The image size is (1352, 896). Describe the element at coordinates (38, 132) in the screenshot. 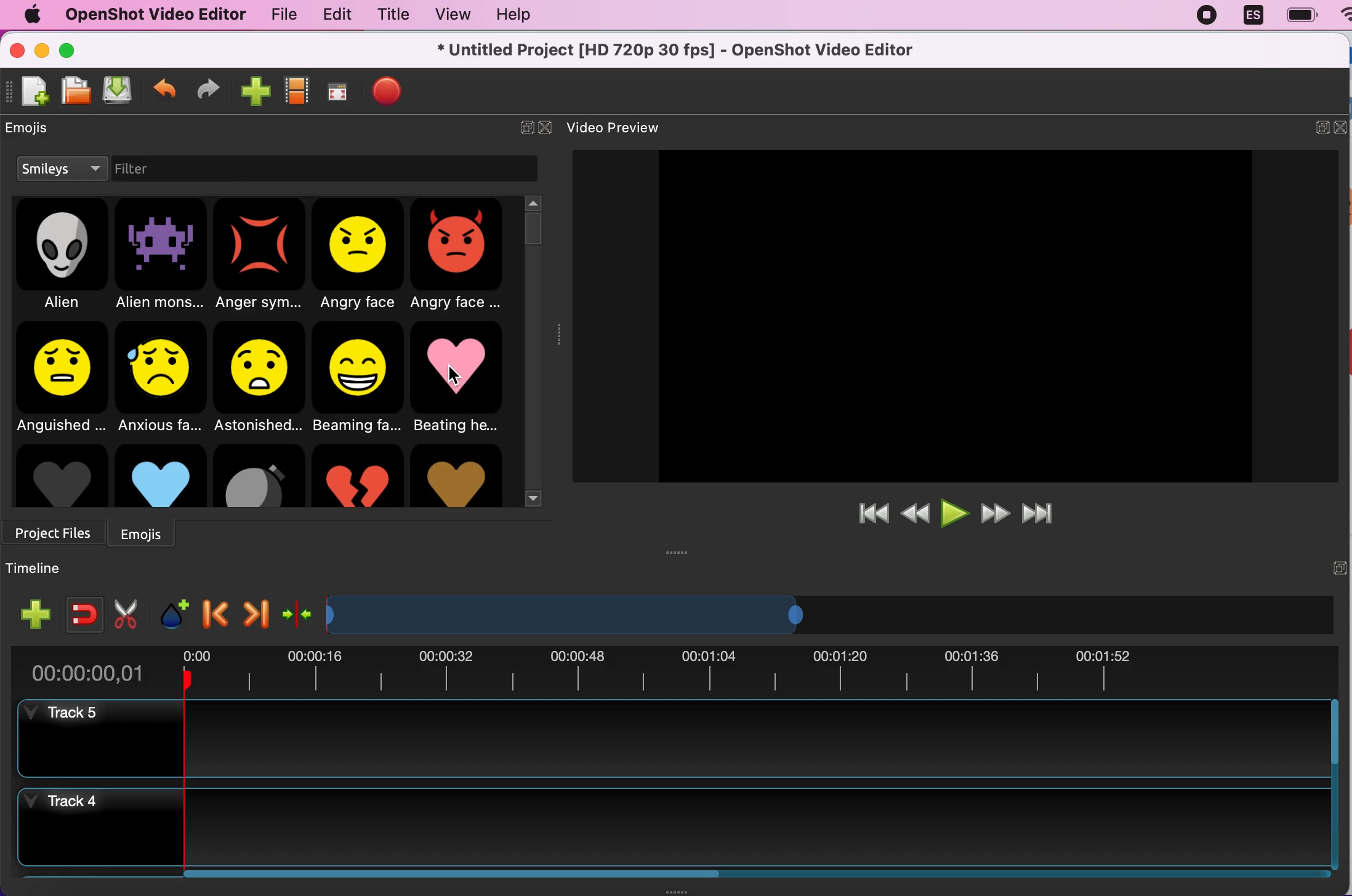

I see `emojis` at that location.